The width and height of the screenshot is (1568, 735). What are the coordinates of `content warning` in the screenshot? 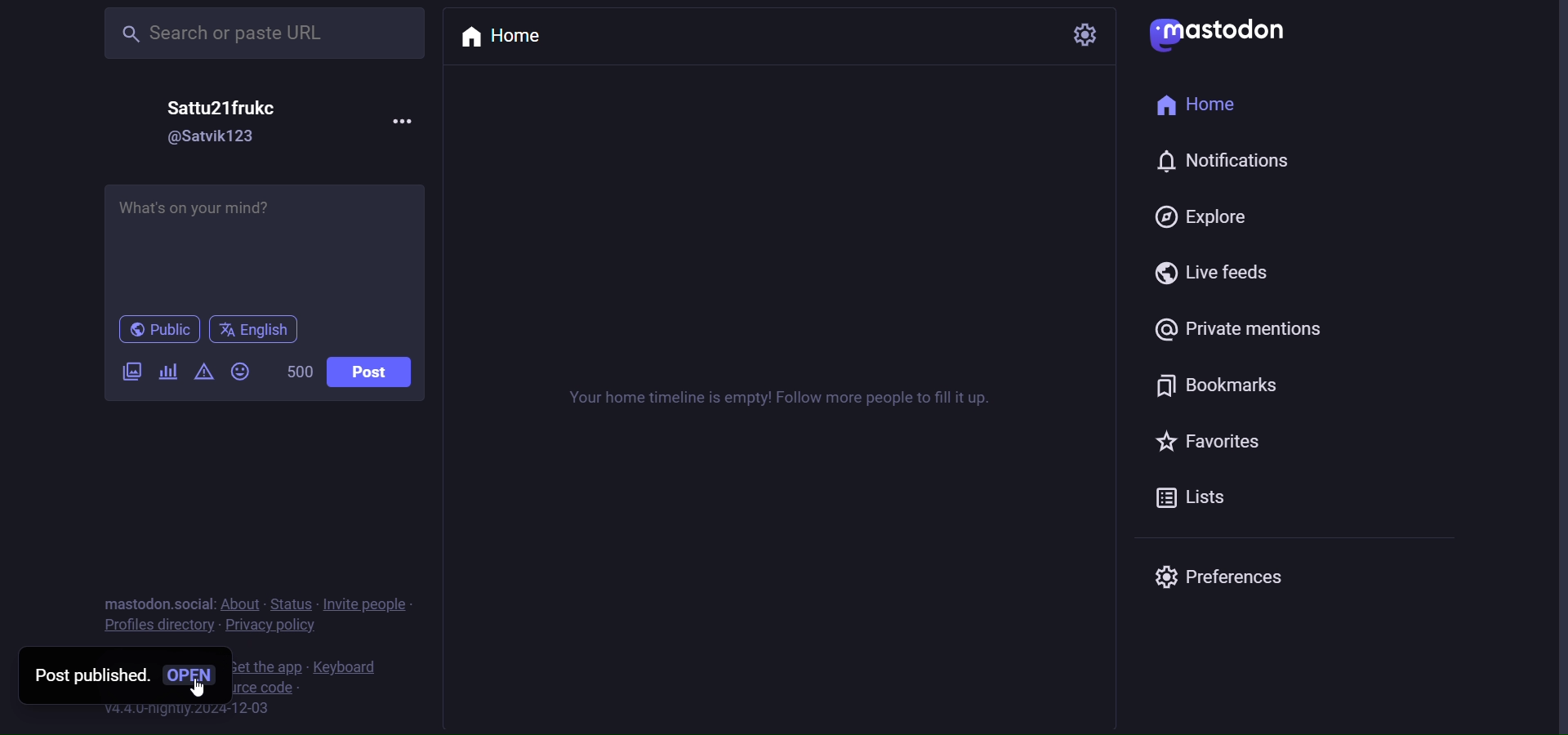 It's located at (207, 372).